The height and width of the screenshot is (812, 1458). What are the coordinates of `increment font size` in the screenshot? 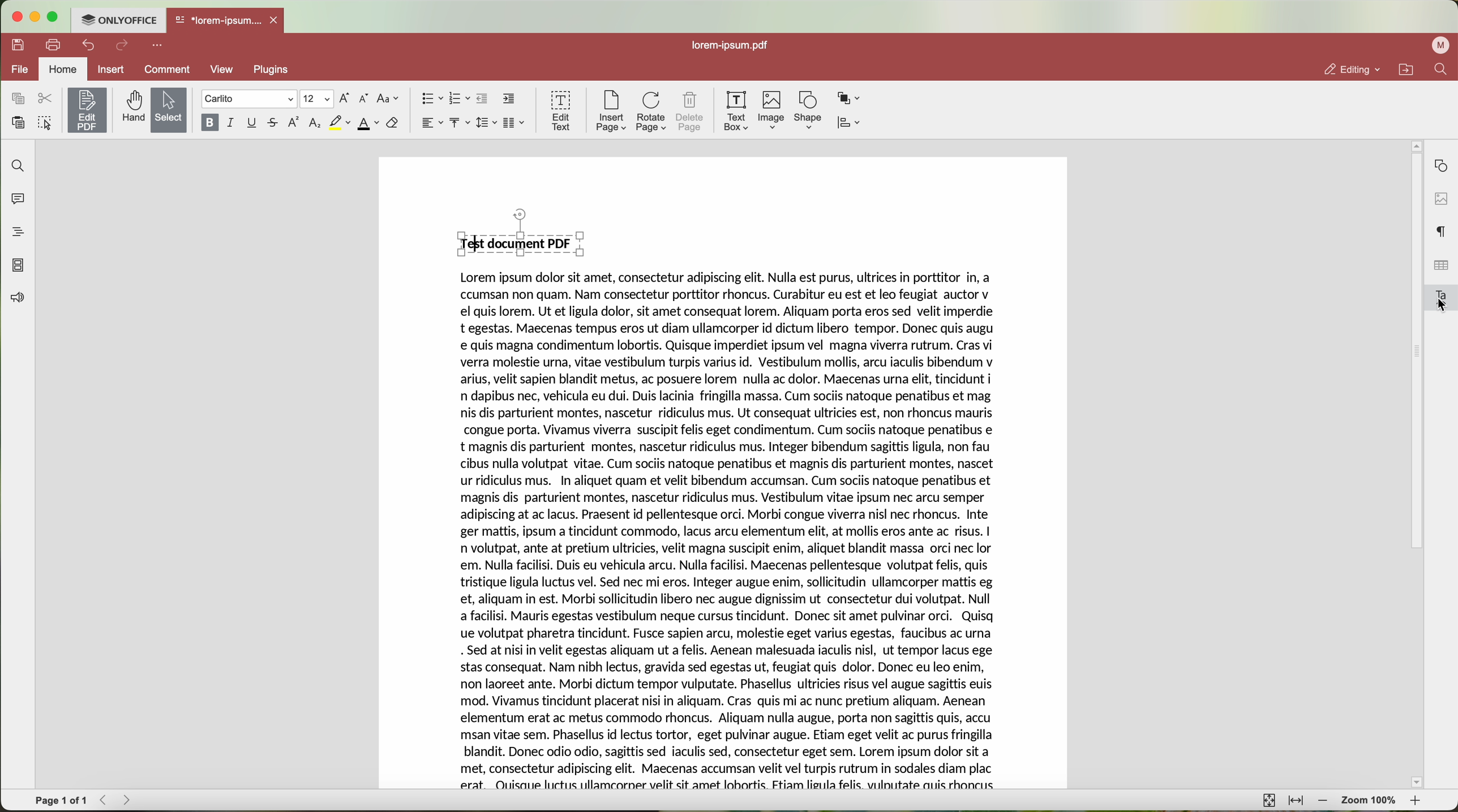 It's located at (345, 98).